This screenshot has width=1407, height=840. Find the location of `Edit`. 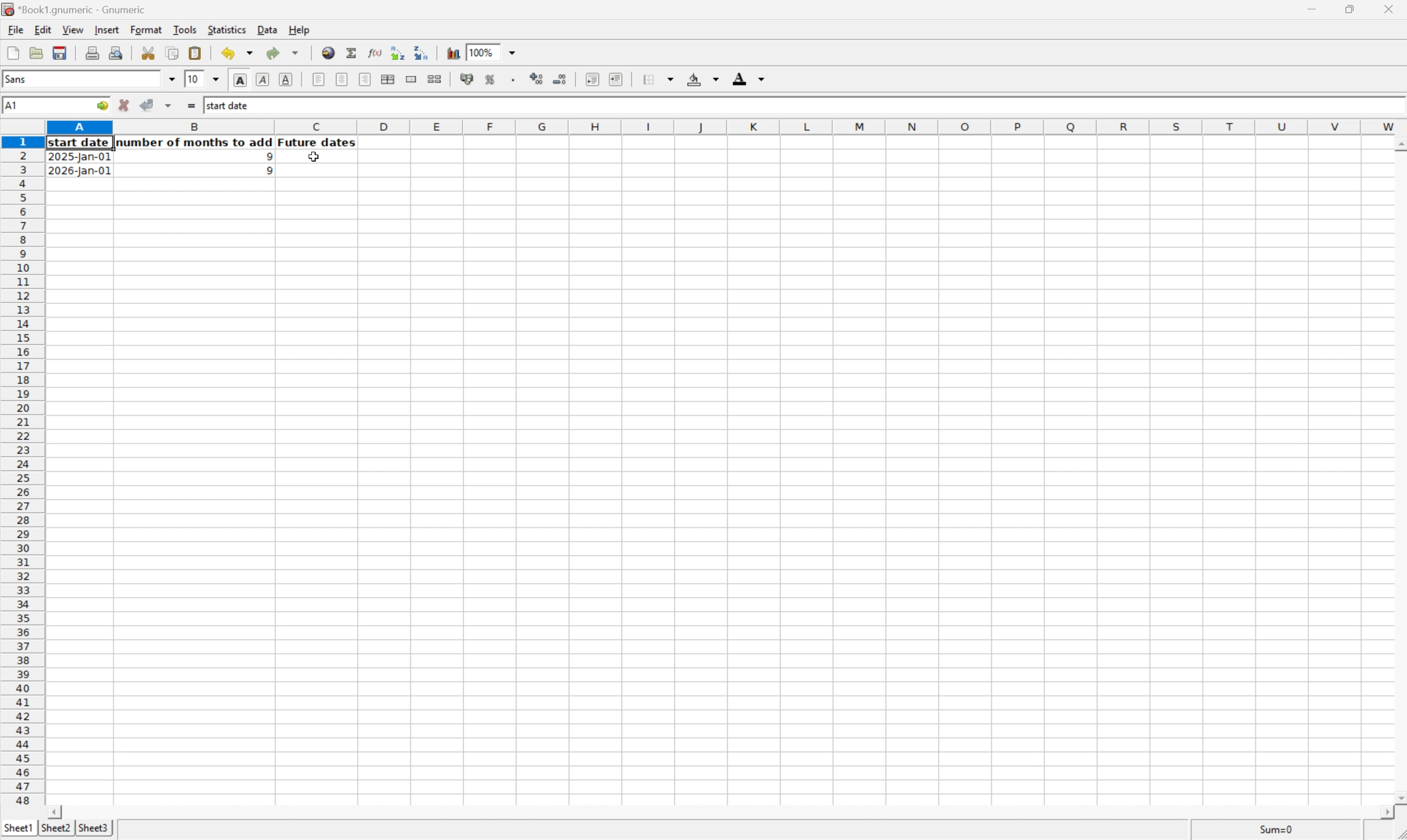

Edit is located at coordinates (43, 29).